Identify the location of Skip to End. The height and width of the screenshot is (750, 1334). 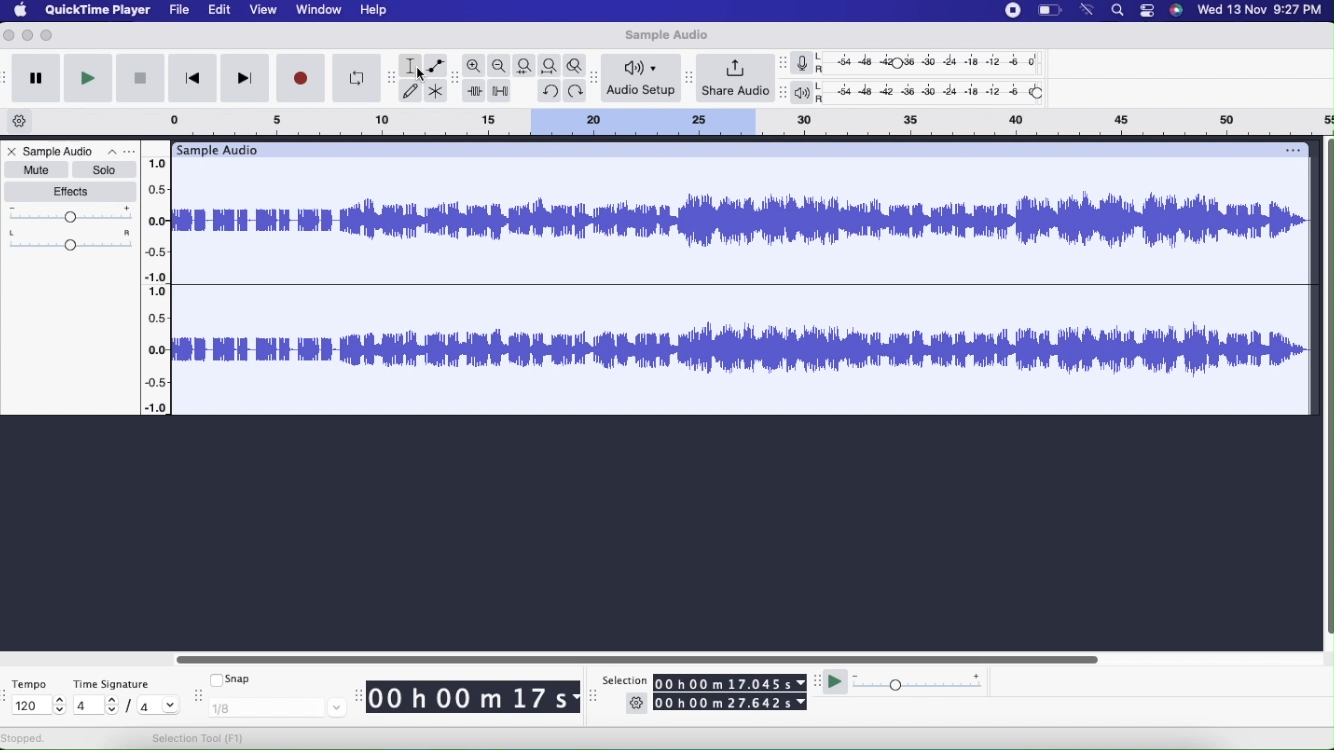
(246, 79).